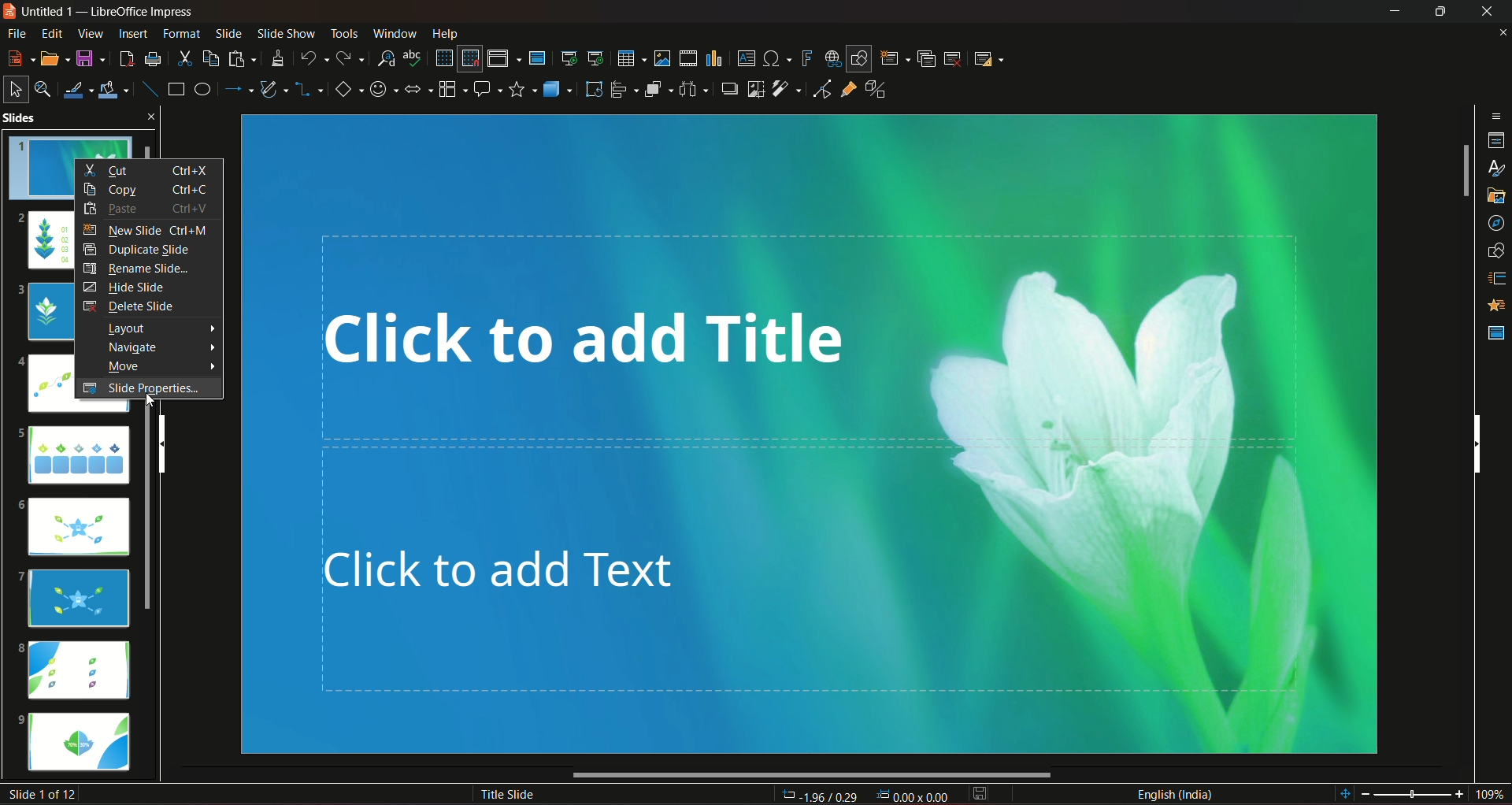 Image resolution: width=1512 pixels, height=805 pixels. What do you see at coordinates (154, 115) in the screenshot?
I see `close` at bounding box center [154, 115].